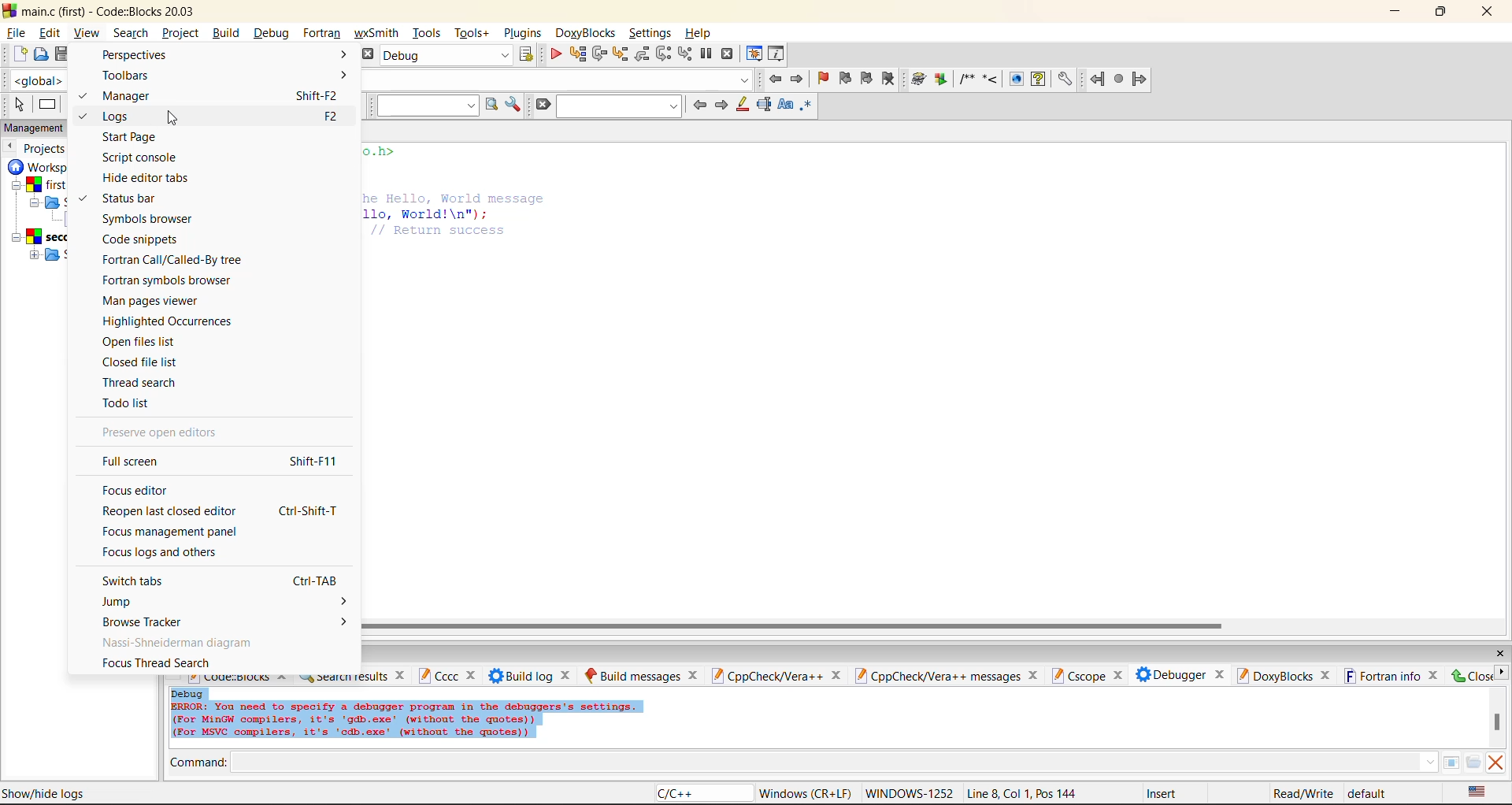 The height and width of the screenshot is (805, 1512). I want to click on F2, so click(337, 118).